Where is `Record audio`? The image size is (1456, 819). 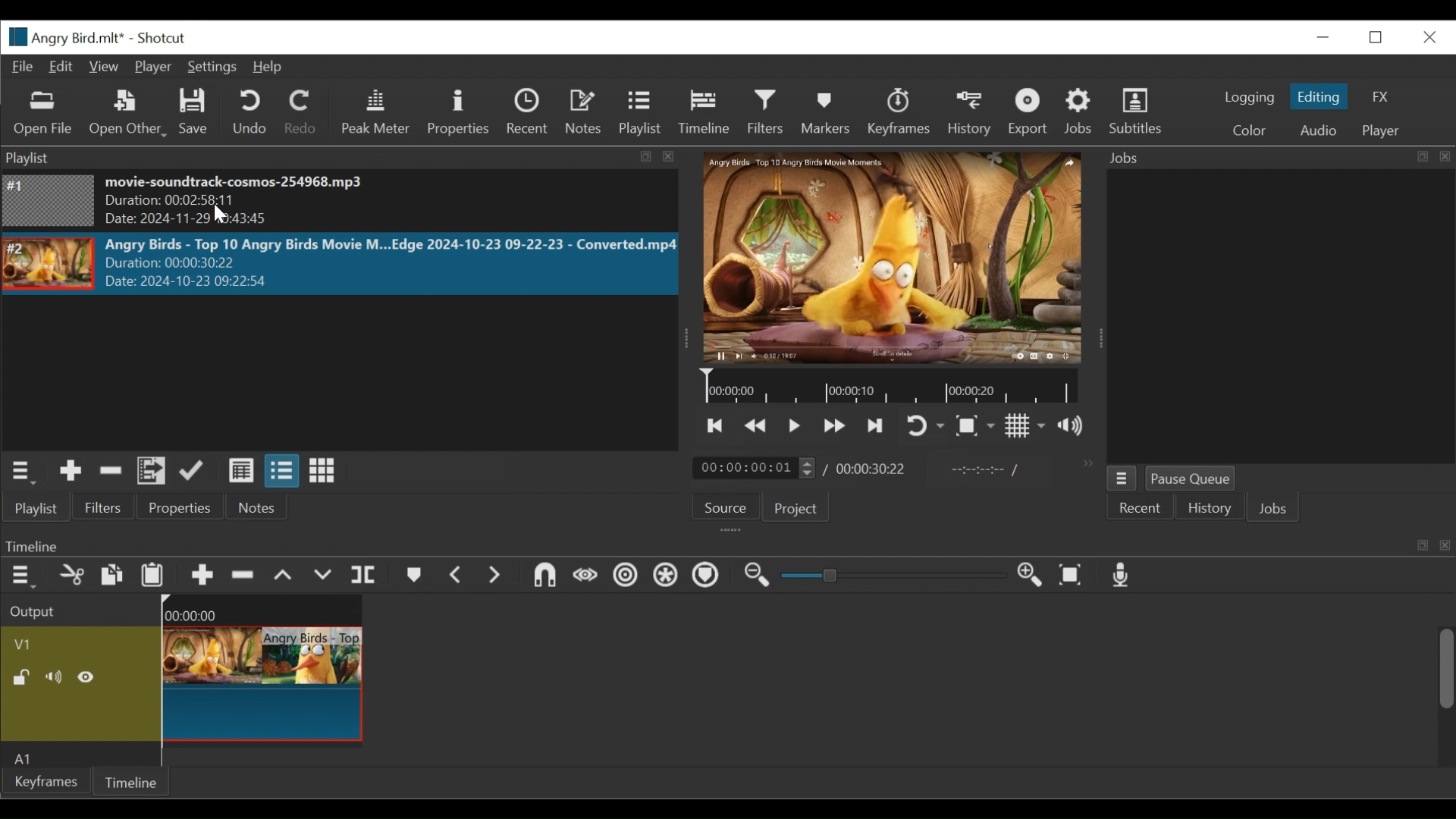
Record audio is located at coordinates (1122, 576).